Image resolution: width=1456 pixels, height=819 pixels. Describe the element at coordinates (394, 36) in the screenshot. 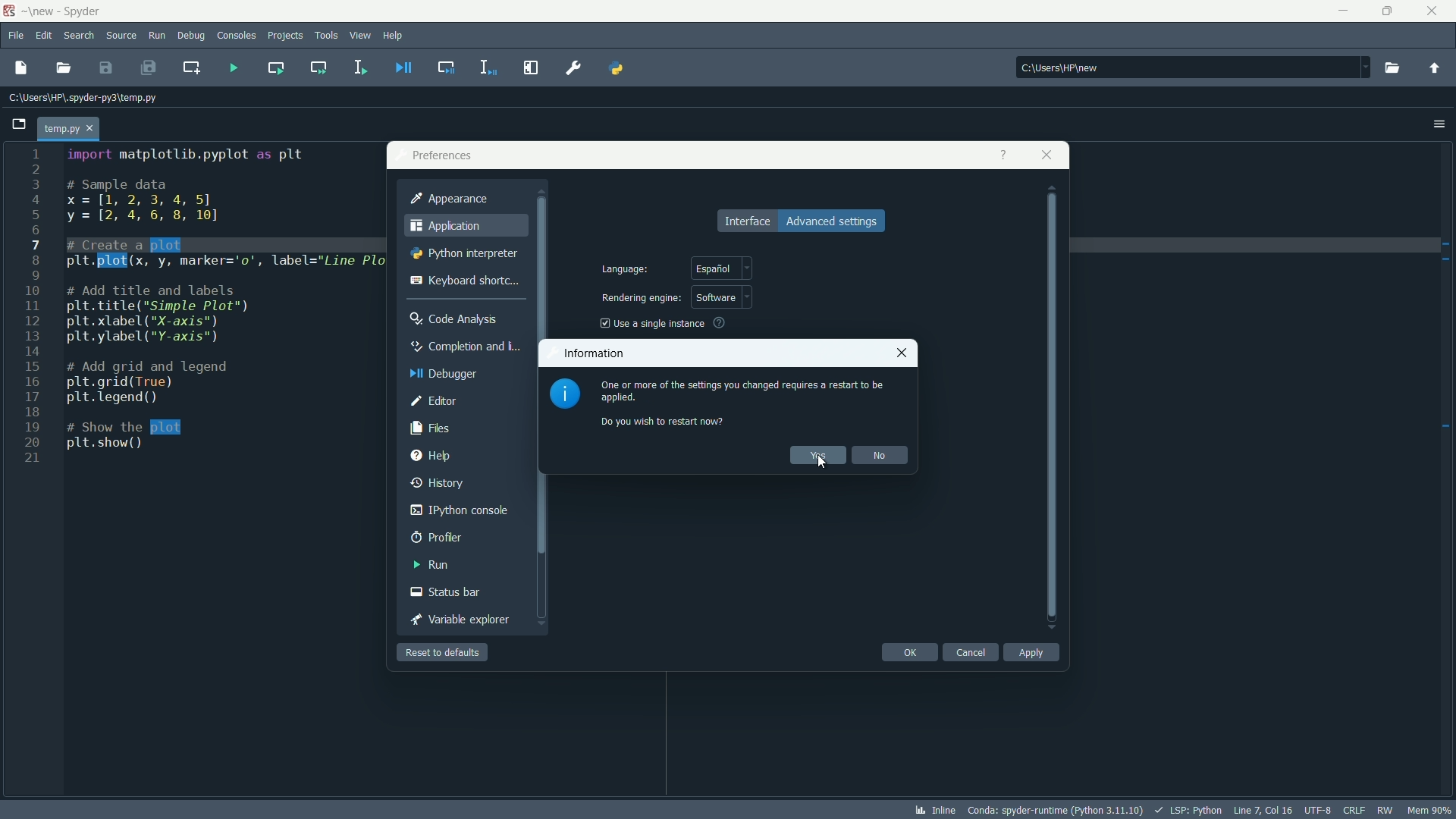

I see `help` at that location.